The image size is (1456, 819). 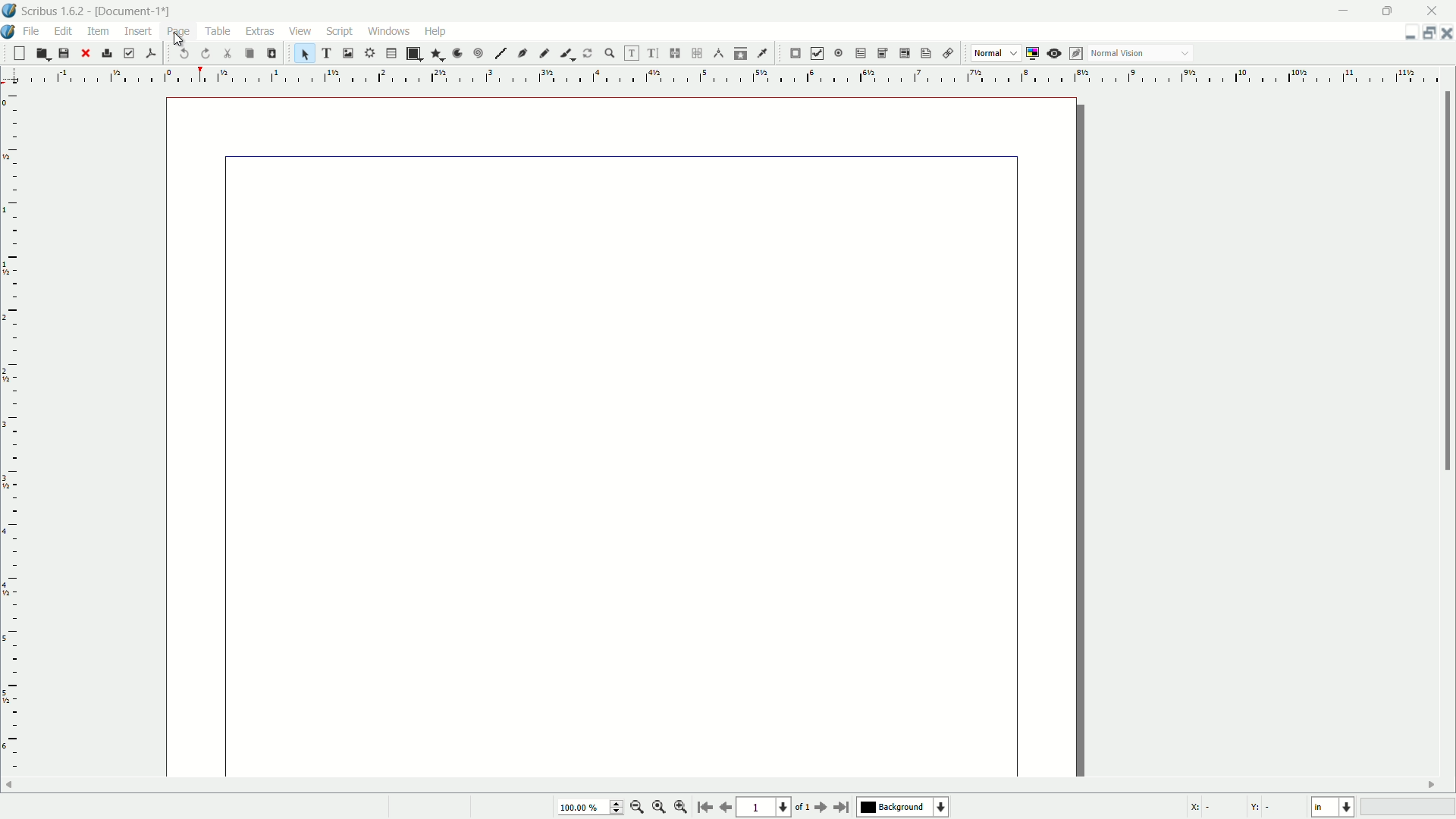 I want to click on help menu, so click(x=435, y=30).